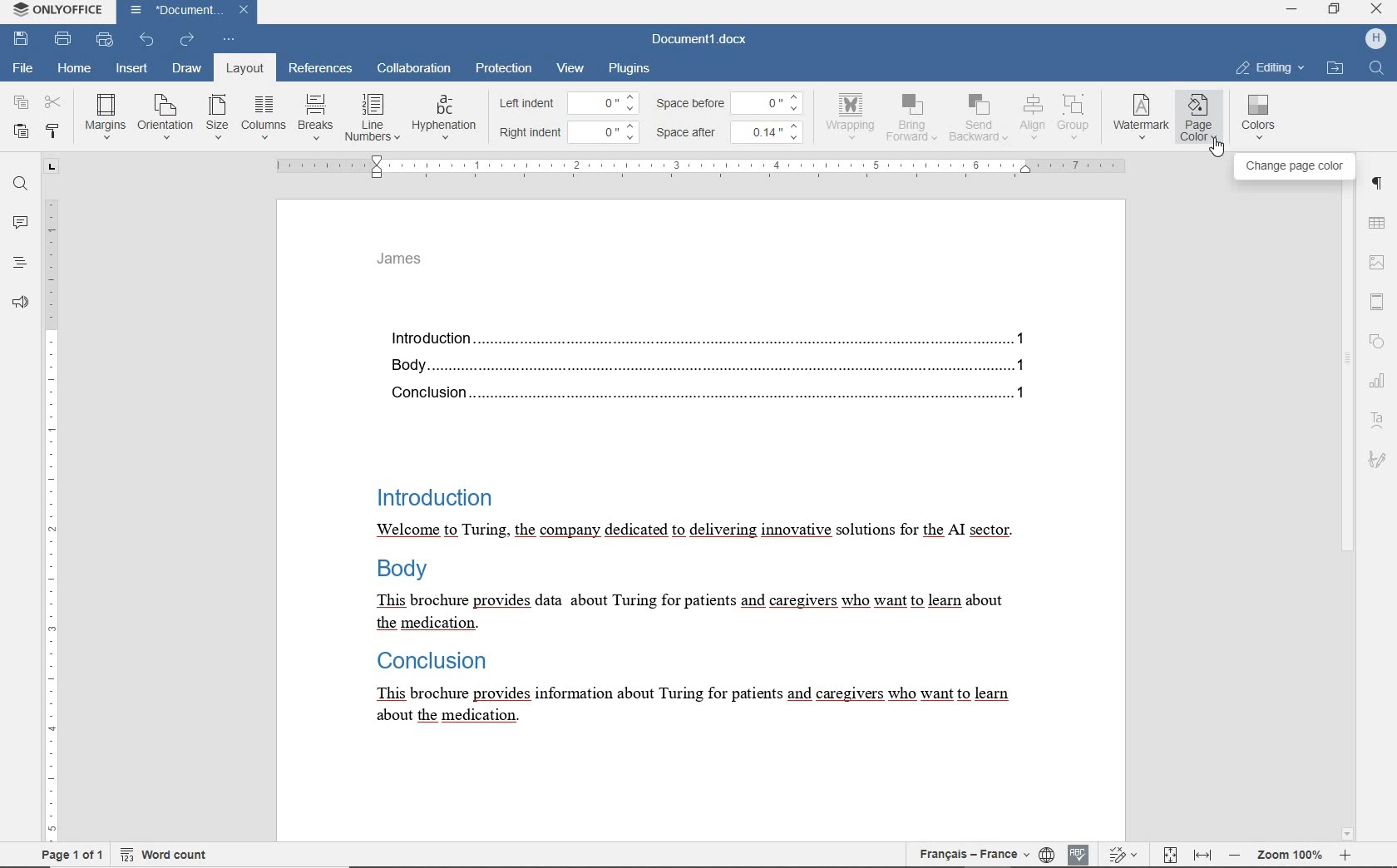  What do you see at coordinates (65, 39) in the screenshot?
I see `print` at bounding box center [65, 39].